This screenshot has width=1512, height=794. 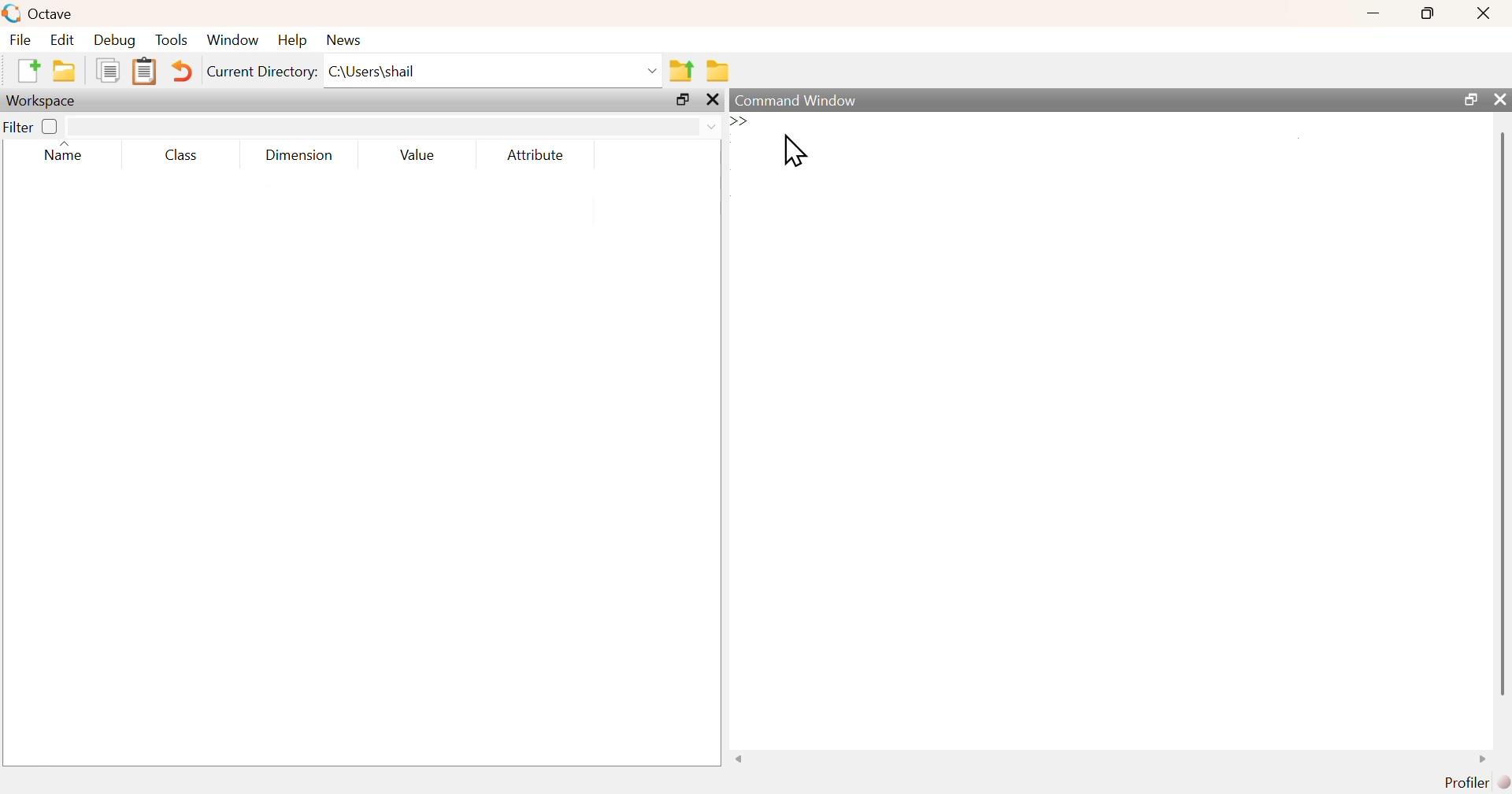 I want to click on scroll right, so click(x=1486, y=759).